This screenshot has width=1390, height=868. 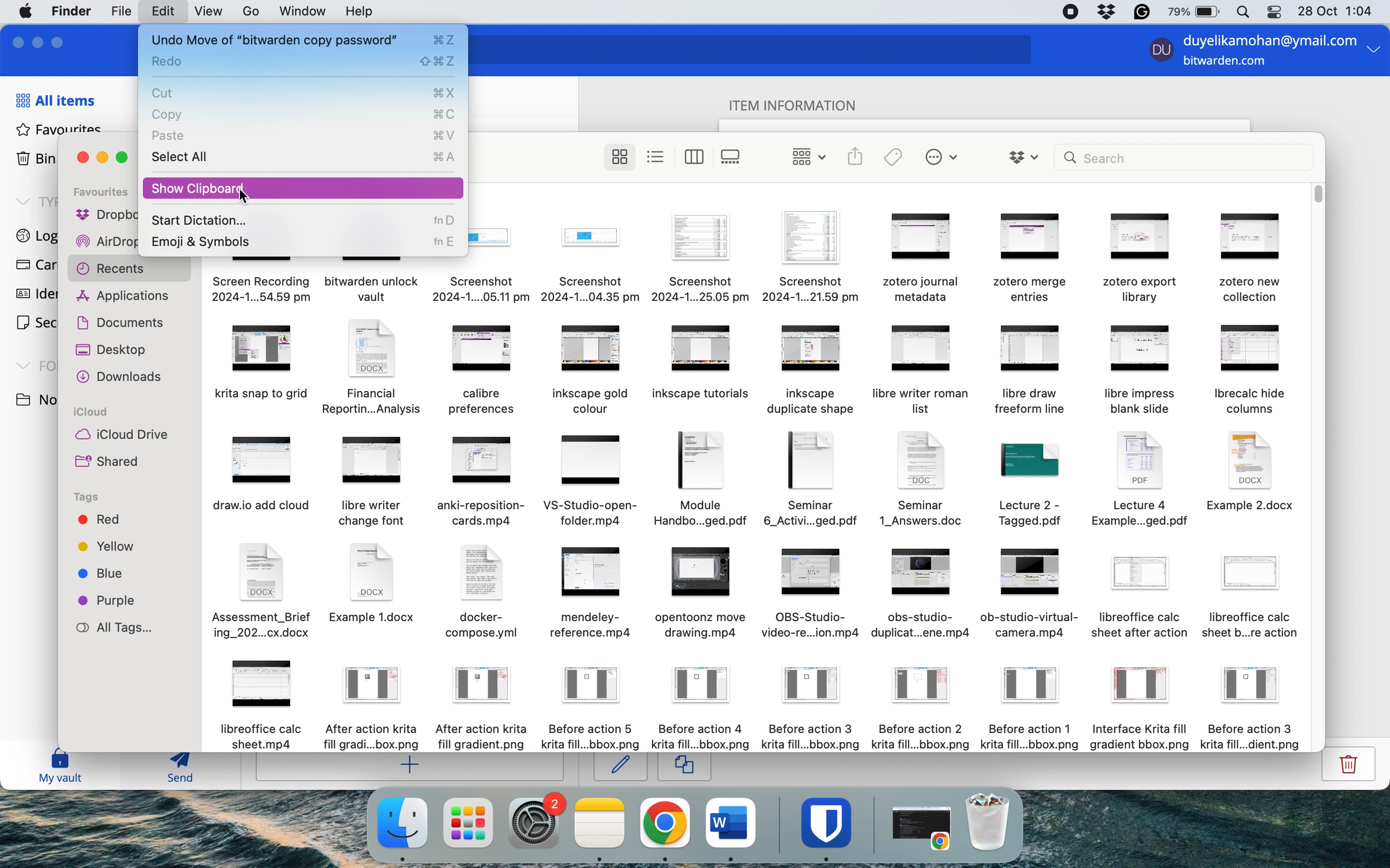 What do you see at coordinates (301, 220) in the screenshot?
I see `start diction` at bounding box center [301, 220].